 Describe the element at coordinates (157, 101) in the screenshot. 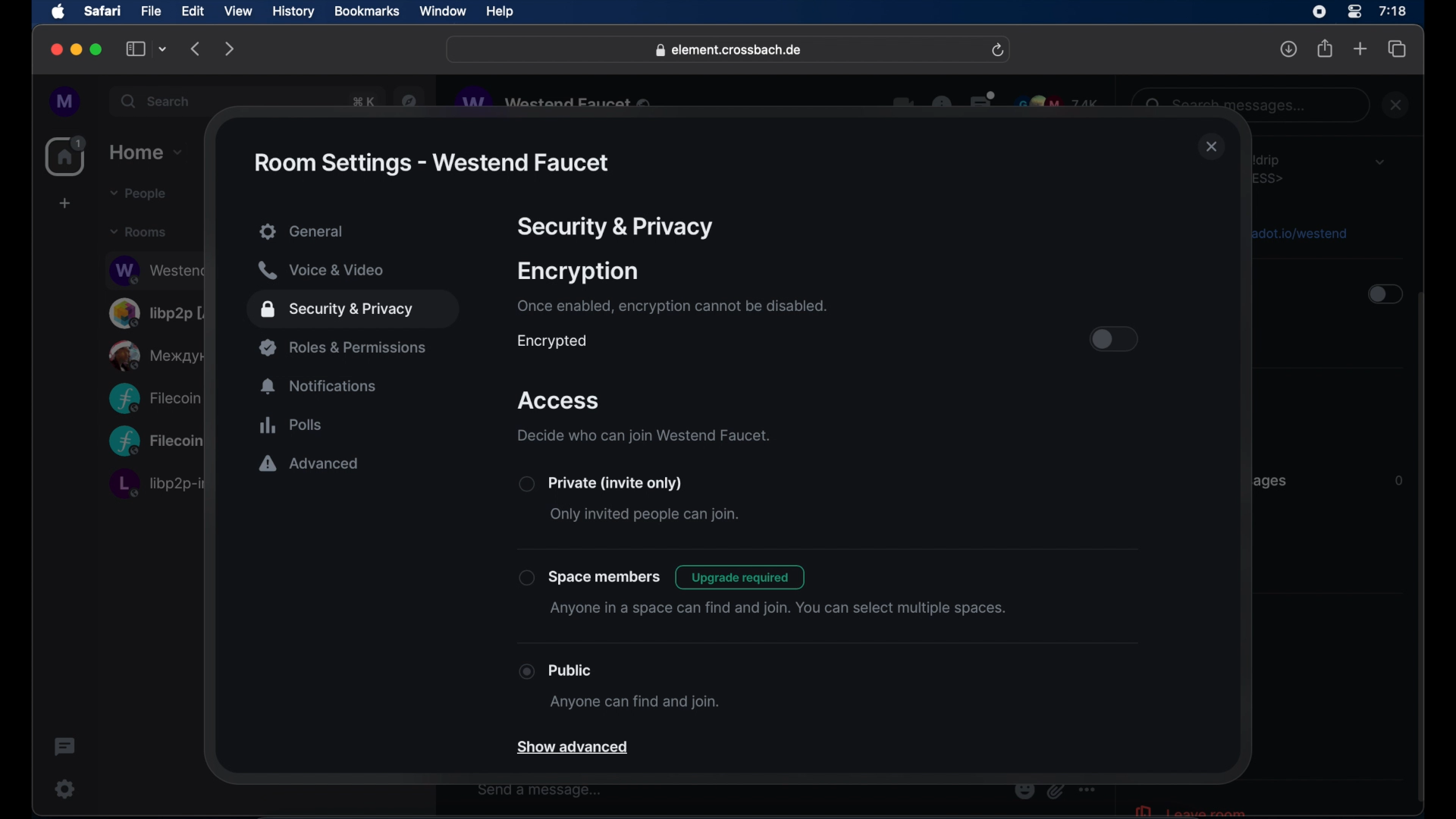

I see `search` at that location.